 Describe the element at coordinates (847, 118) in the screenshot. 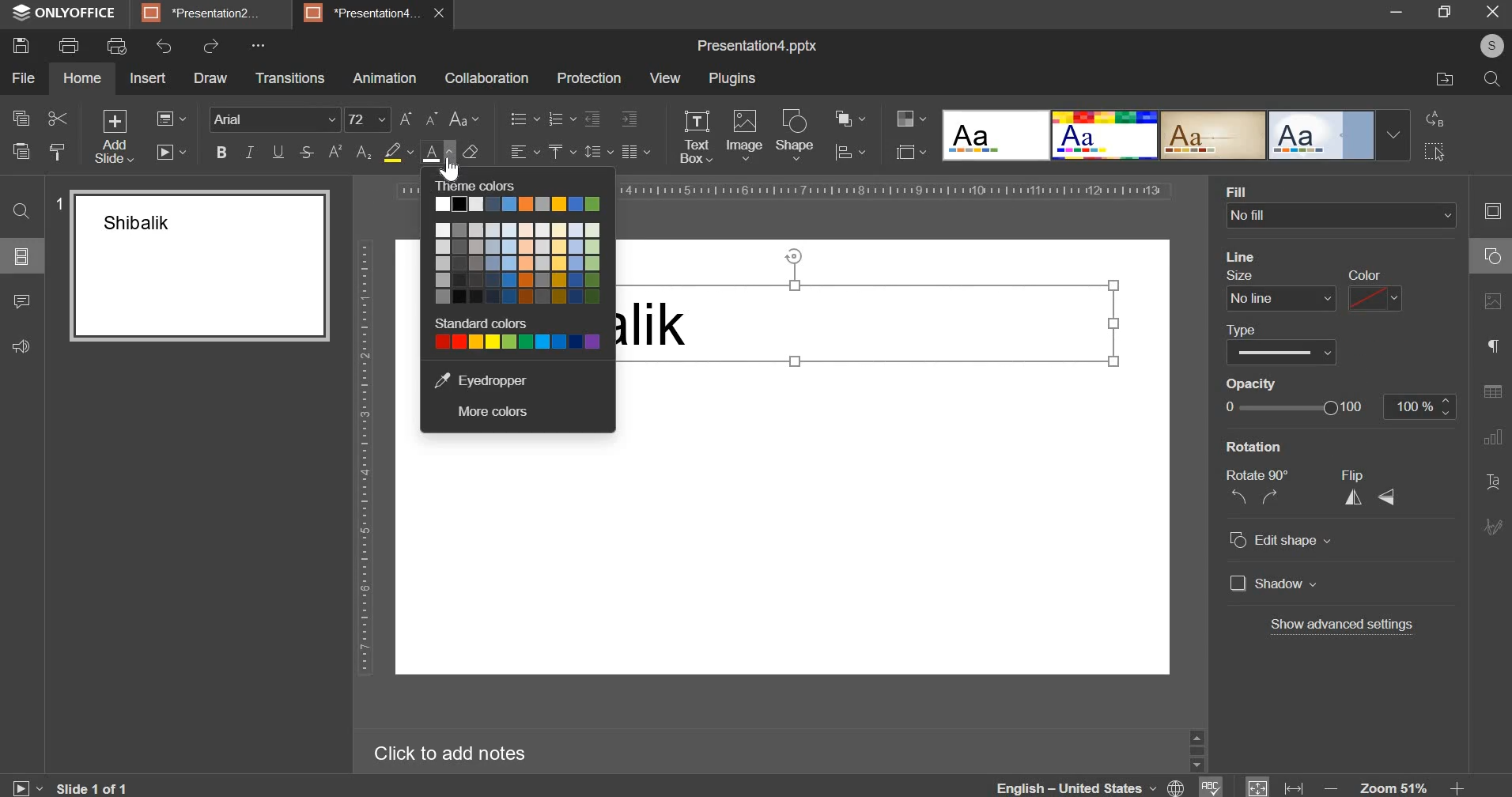

I see `arrange` at that location.